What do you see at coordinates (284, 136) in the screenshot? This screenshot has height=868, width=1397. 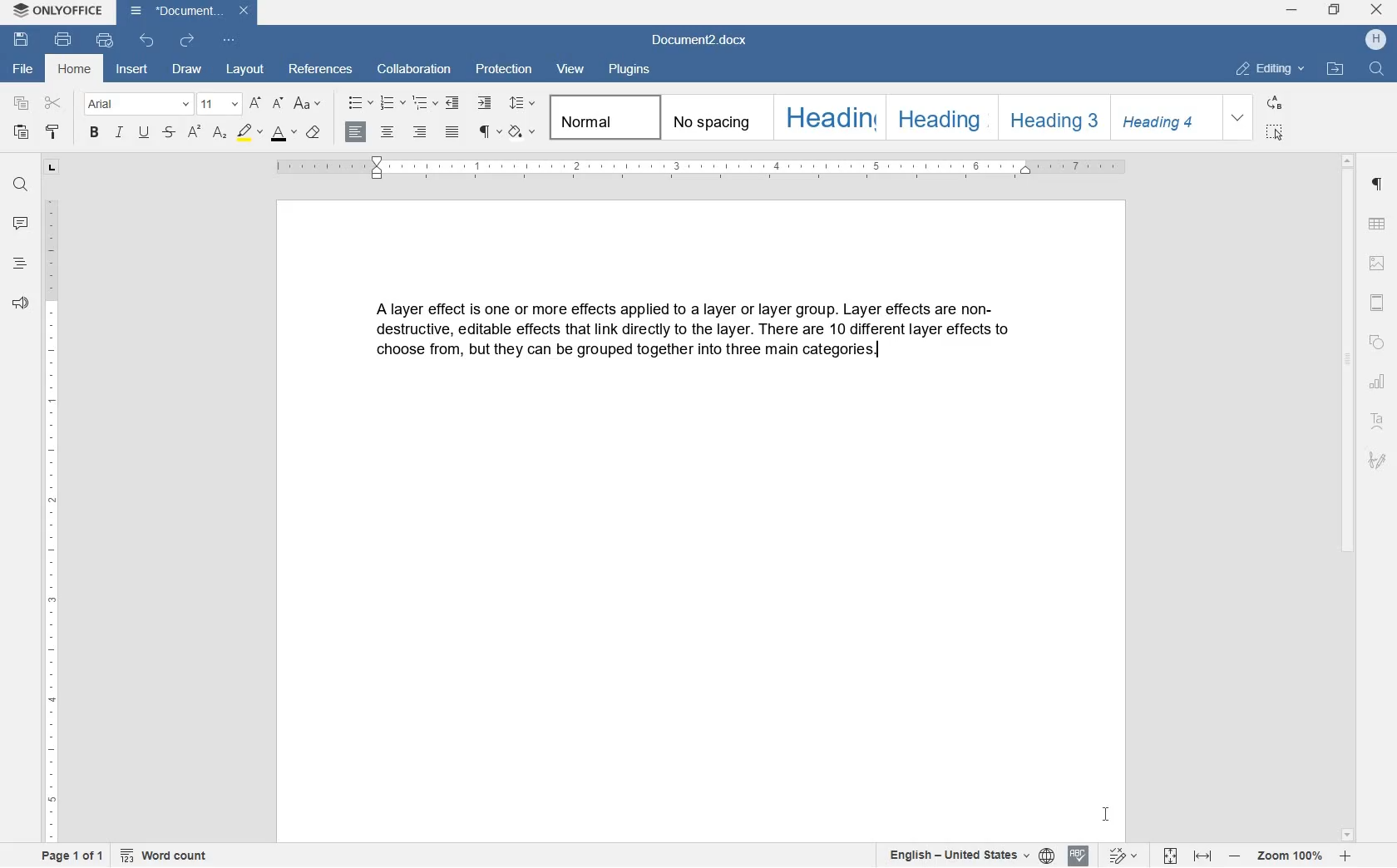 I see `FONT COLOR` at bounding box center [284, 136].